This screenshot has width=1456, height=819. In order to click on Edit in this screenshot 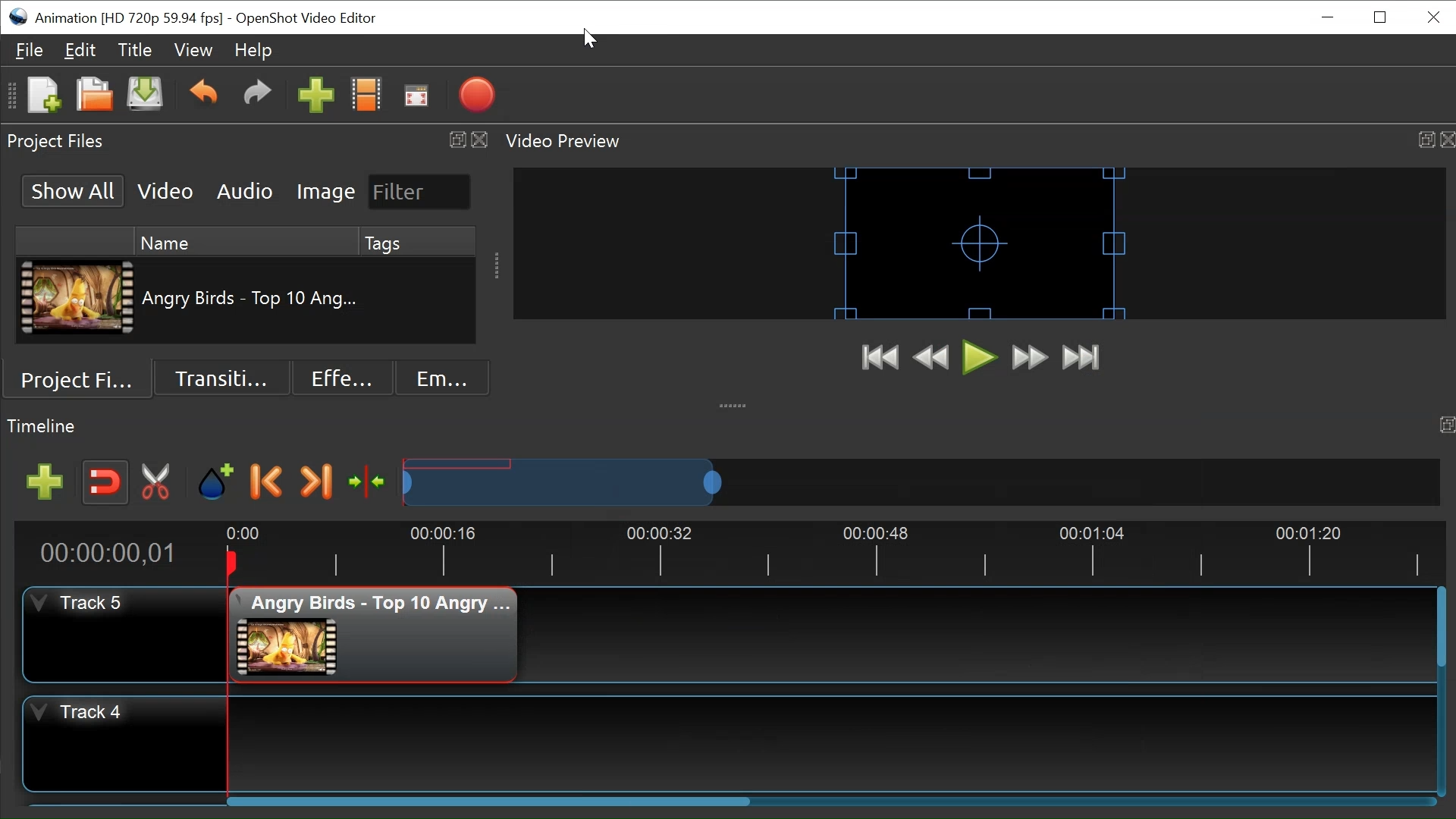, I will do `click(80, 52)`.